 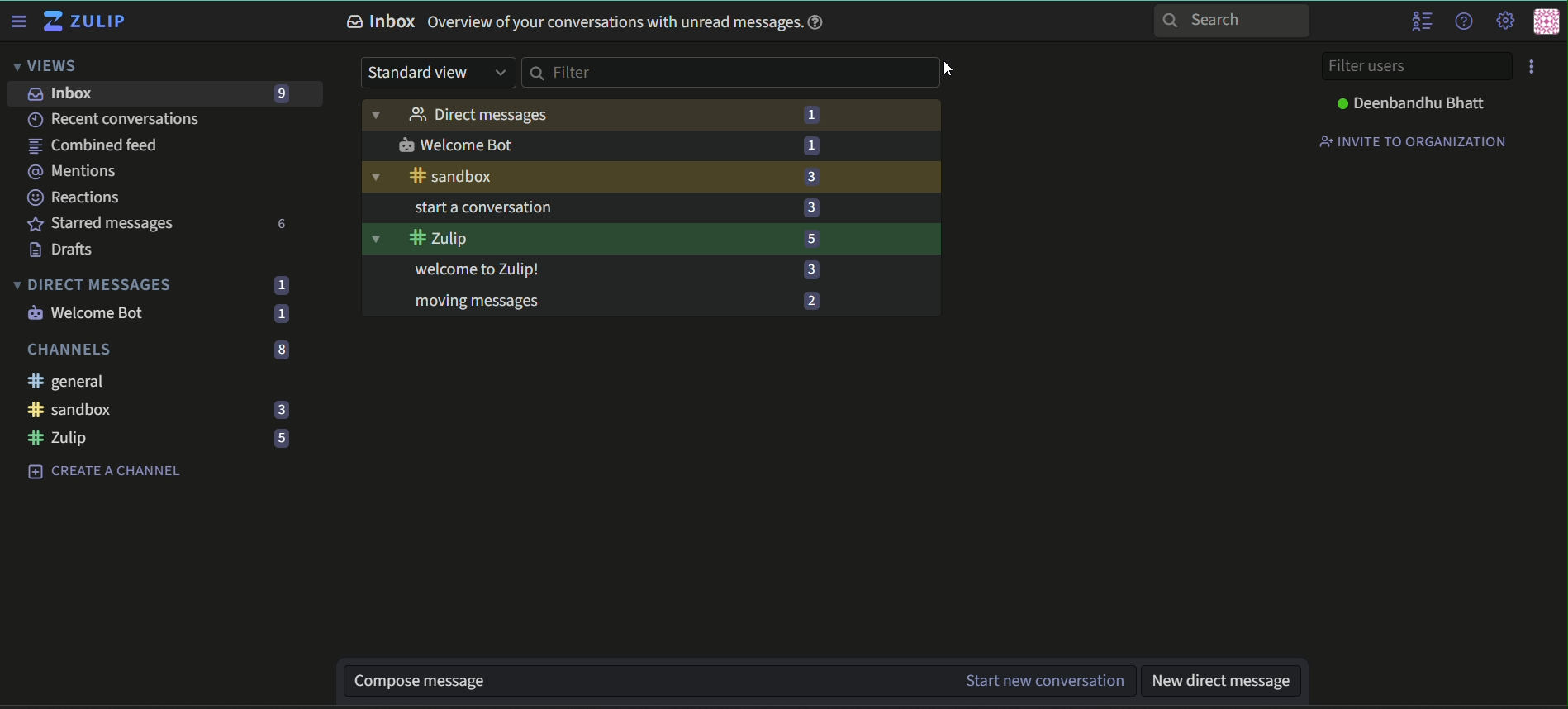 What do you see at coordinates (1414, 140) in the screenshot?
I see `Invite to organisation` at bounding box center [1414, 140].